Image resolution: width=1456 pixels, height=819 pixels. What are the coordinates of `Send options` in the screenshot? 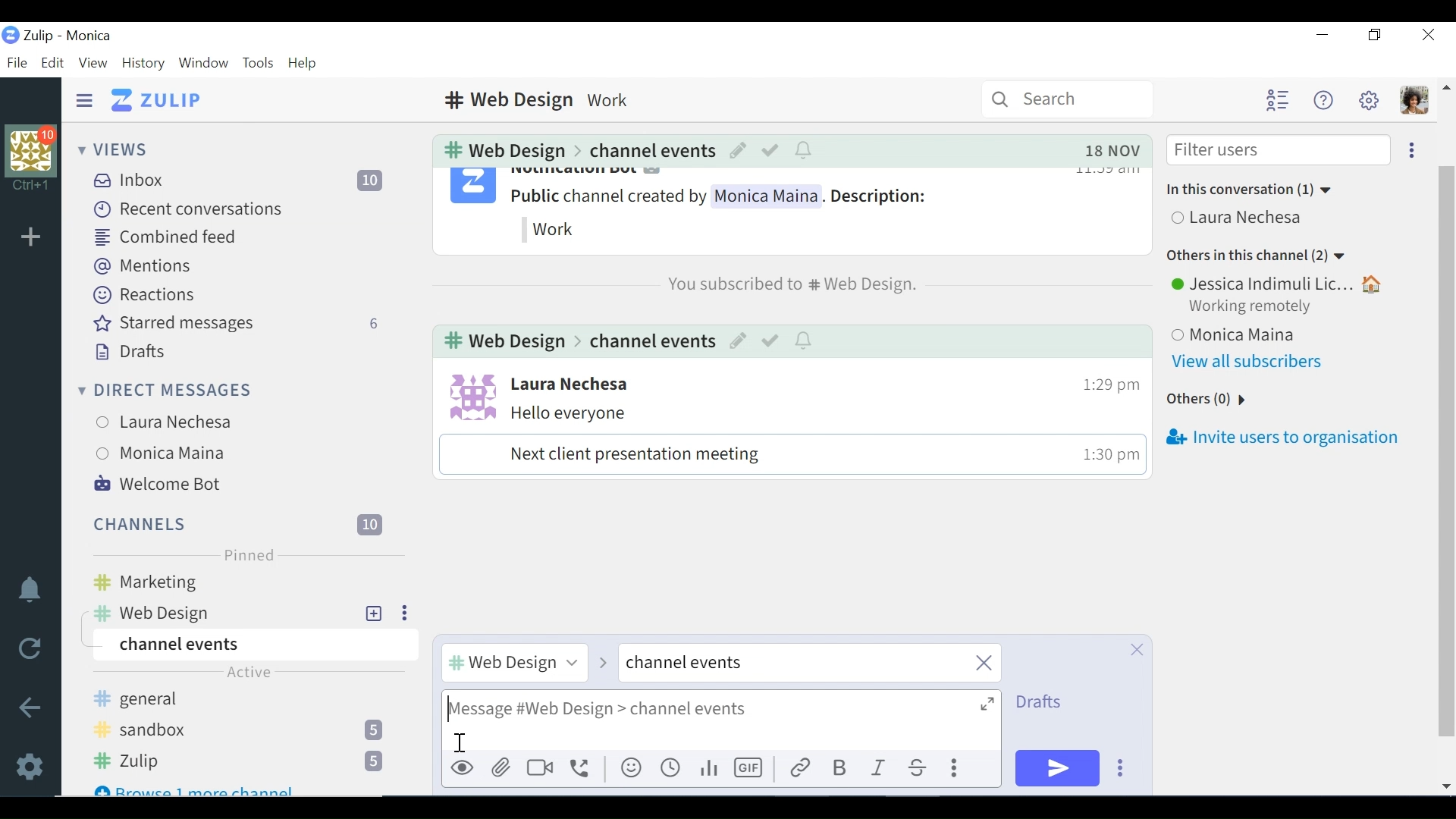 It's located at (1121, 768).